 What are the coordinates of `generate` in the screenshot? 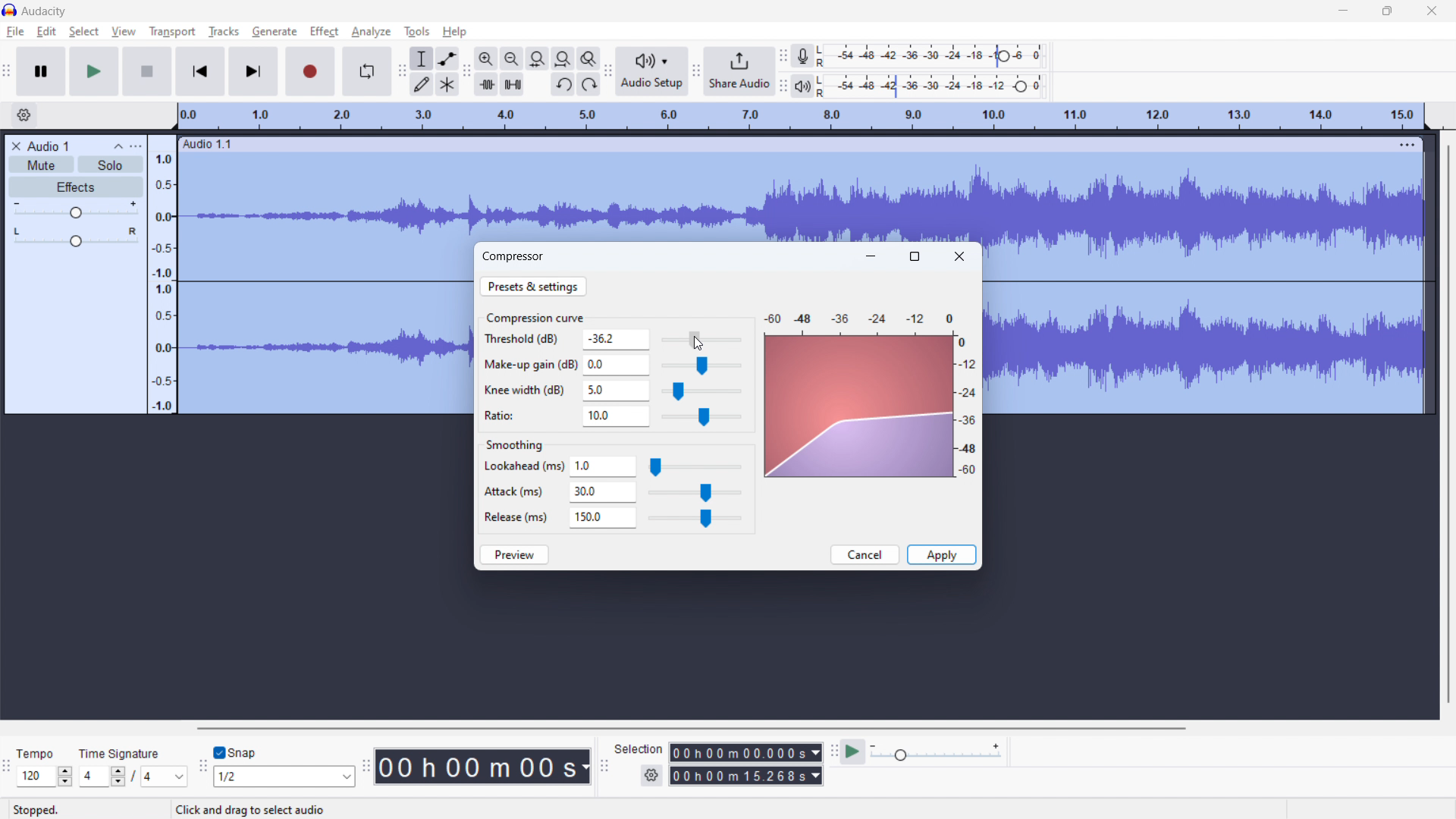 It's located at (275, 32).